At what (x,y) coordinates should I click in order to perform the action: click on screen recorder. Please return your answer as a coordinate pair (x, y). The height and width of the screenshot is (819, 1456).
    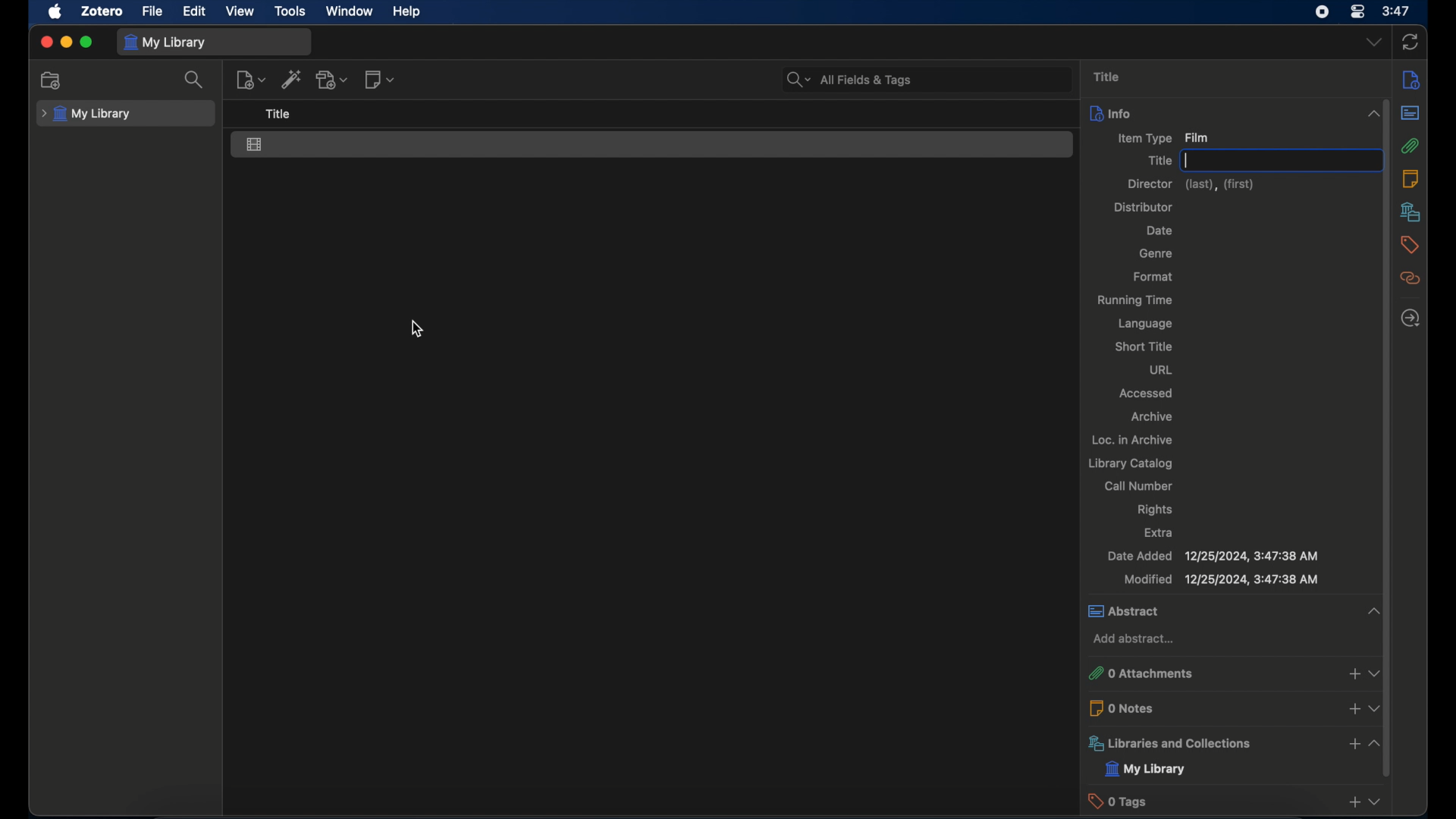
    Looking at the image, I should click on (1323, 12).